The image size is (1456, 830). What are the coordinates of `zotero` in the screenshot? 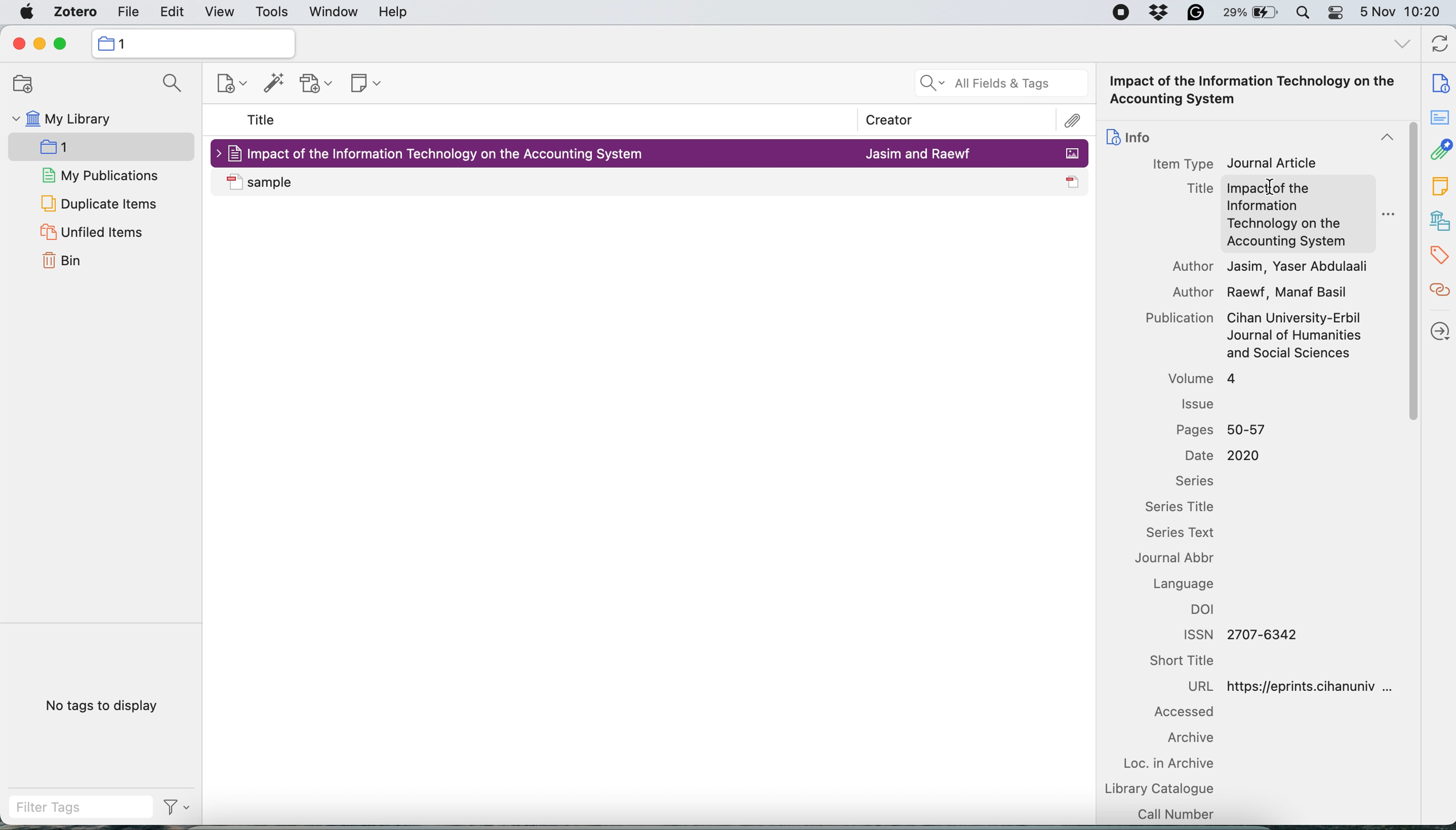 It's located at (72, 13).